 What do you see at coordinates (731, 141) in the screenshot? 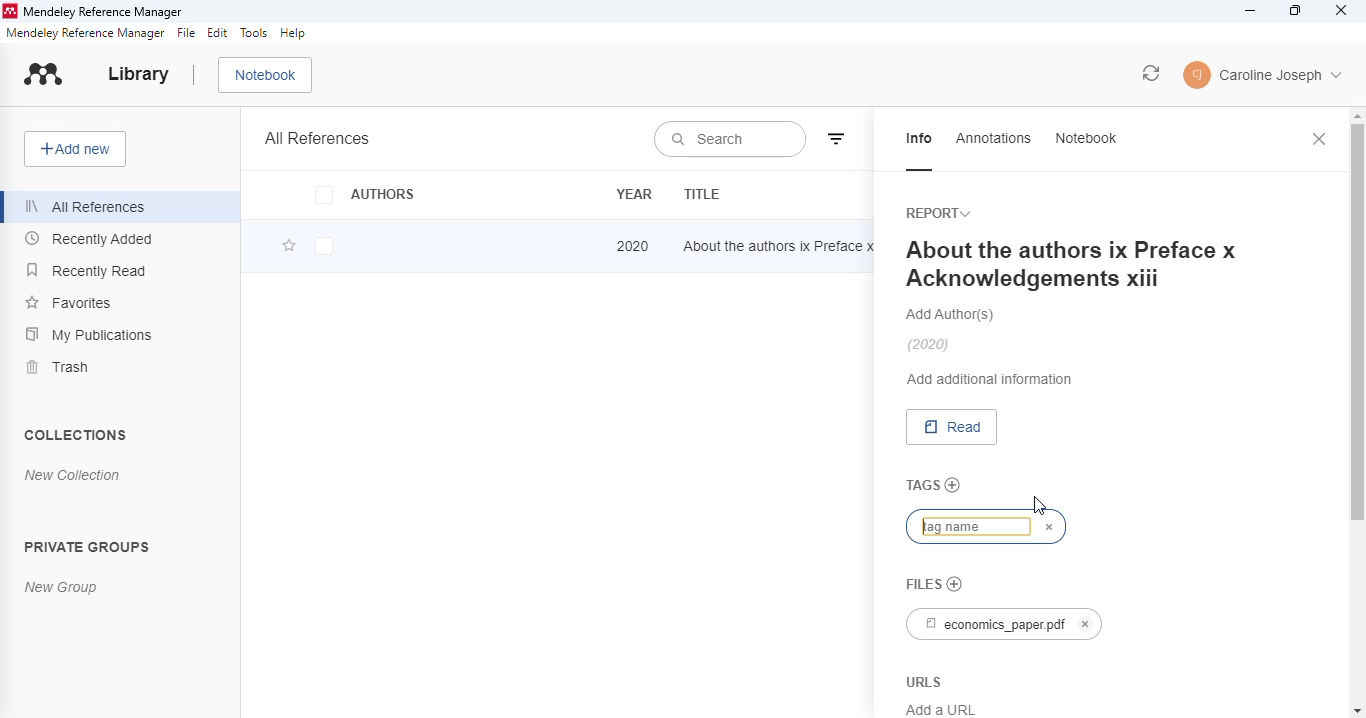
I see `search` at bounding box center [731, 141].